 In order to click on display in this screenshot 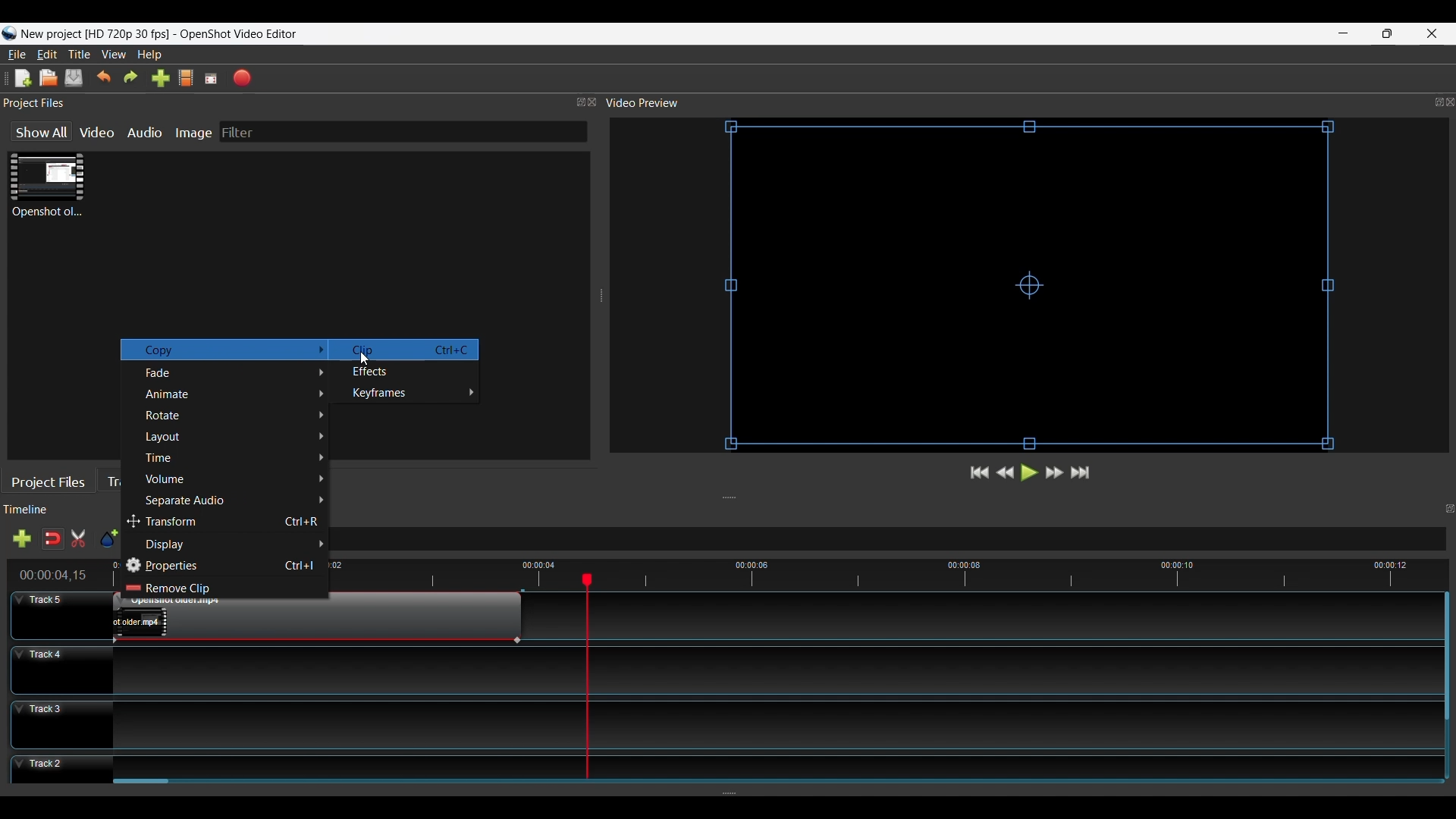, I will do `click(227, 541)`.